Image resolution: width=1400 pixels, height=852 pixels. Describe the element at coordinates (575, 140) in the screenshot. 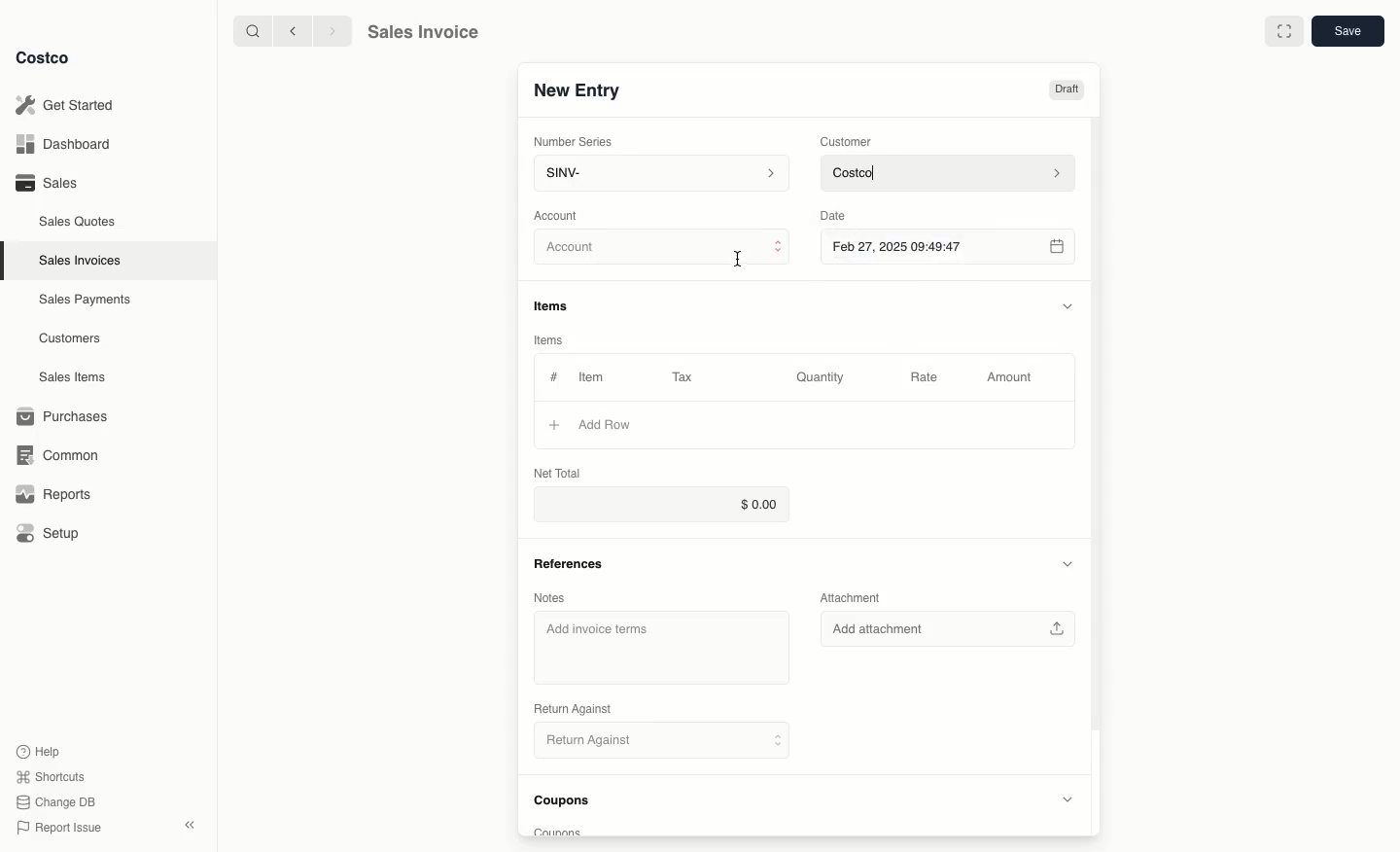

I see `Number Series` at that location.